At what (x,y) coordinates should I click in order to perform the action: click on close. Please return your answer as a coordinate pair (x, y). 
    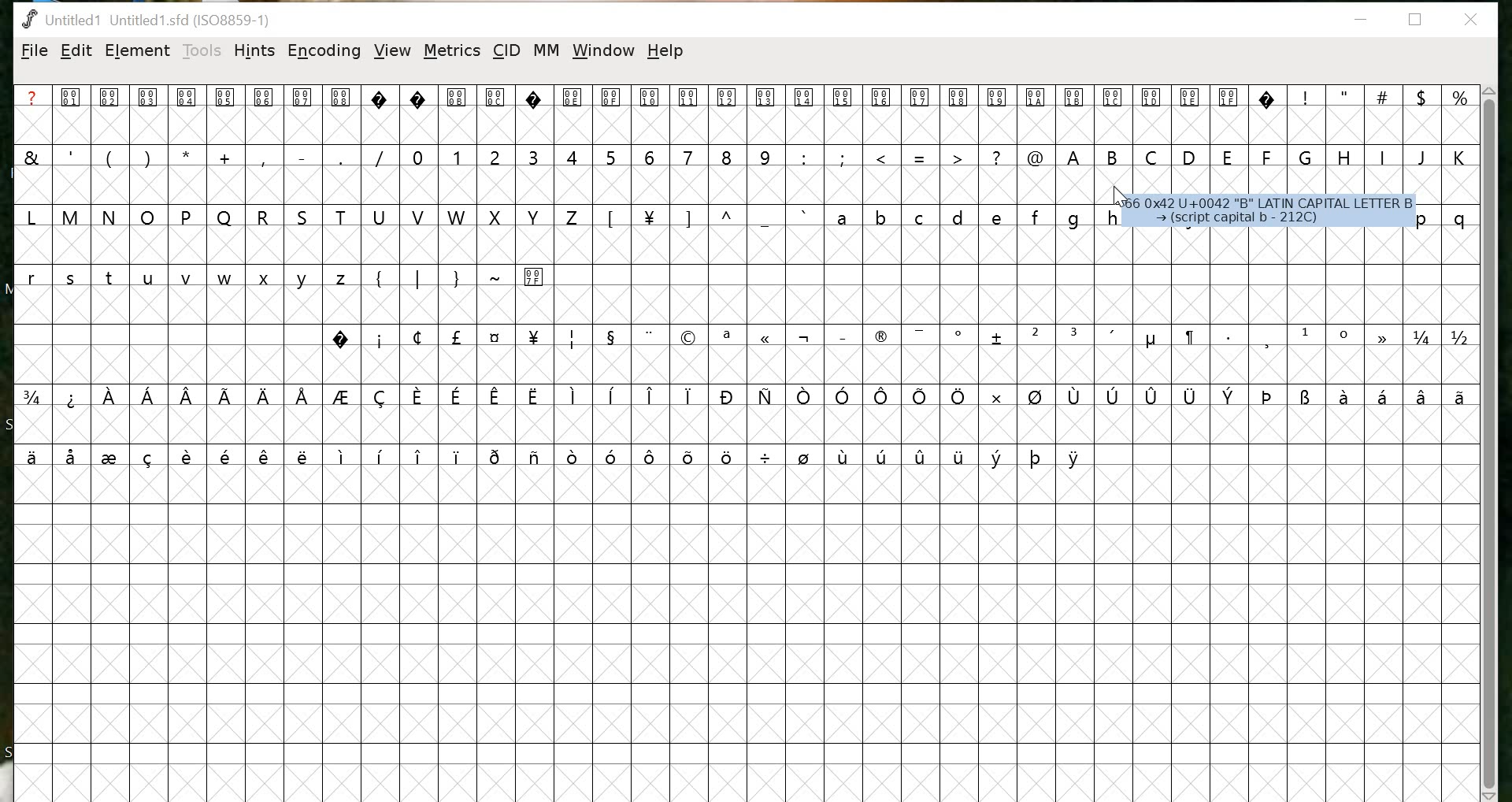
    Looking at the image, I should click on (1473, 20).